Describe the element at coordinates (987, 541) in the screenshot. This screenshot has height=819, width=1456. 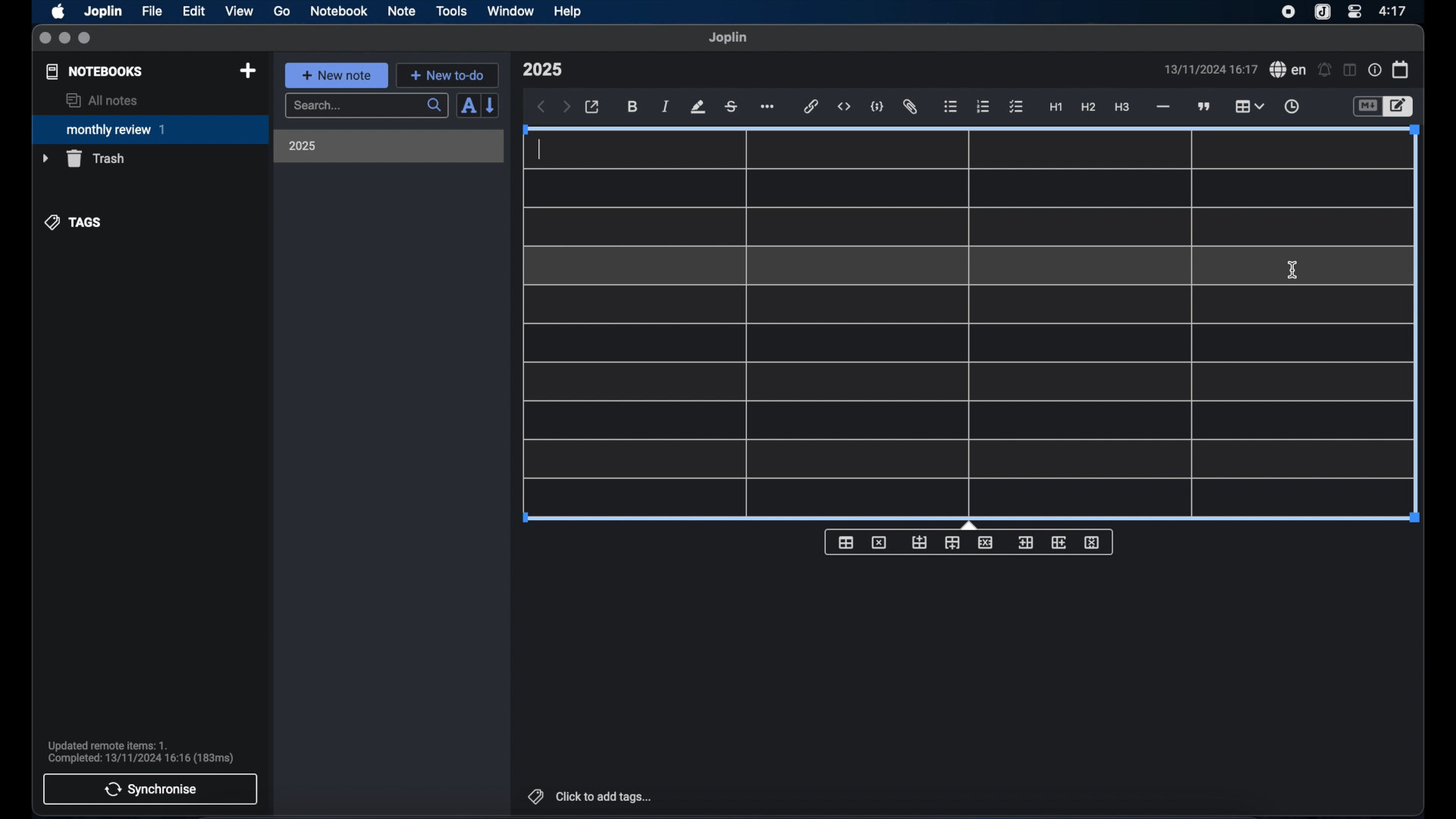
I see `delete row` at that location.